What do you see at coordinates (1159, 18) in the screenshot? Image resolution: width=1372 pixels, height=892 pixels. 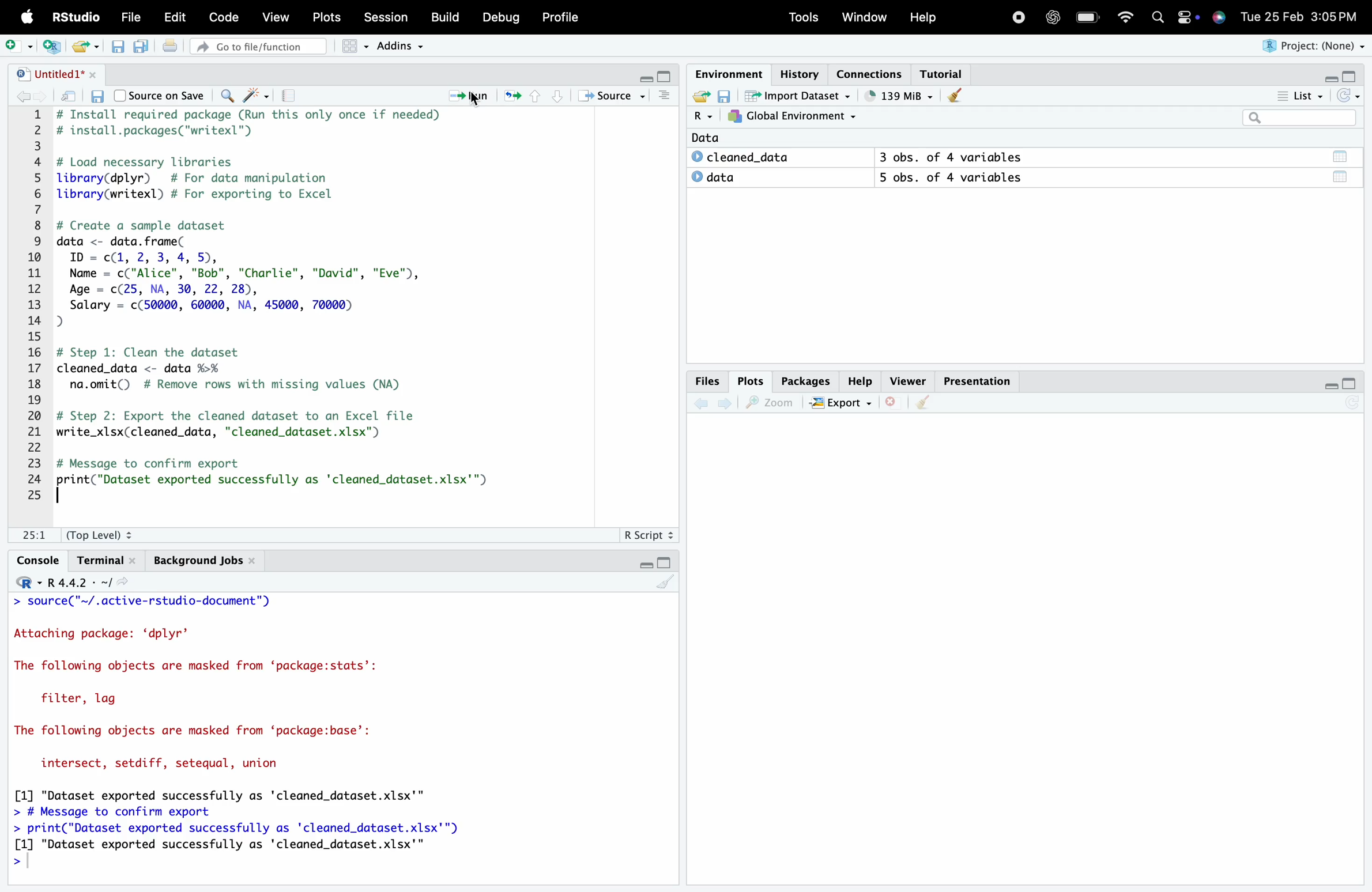 I see `Search` at bounding box center [1159, 18].